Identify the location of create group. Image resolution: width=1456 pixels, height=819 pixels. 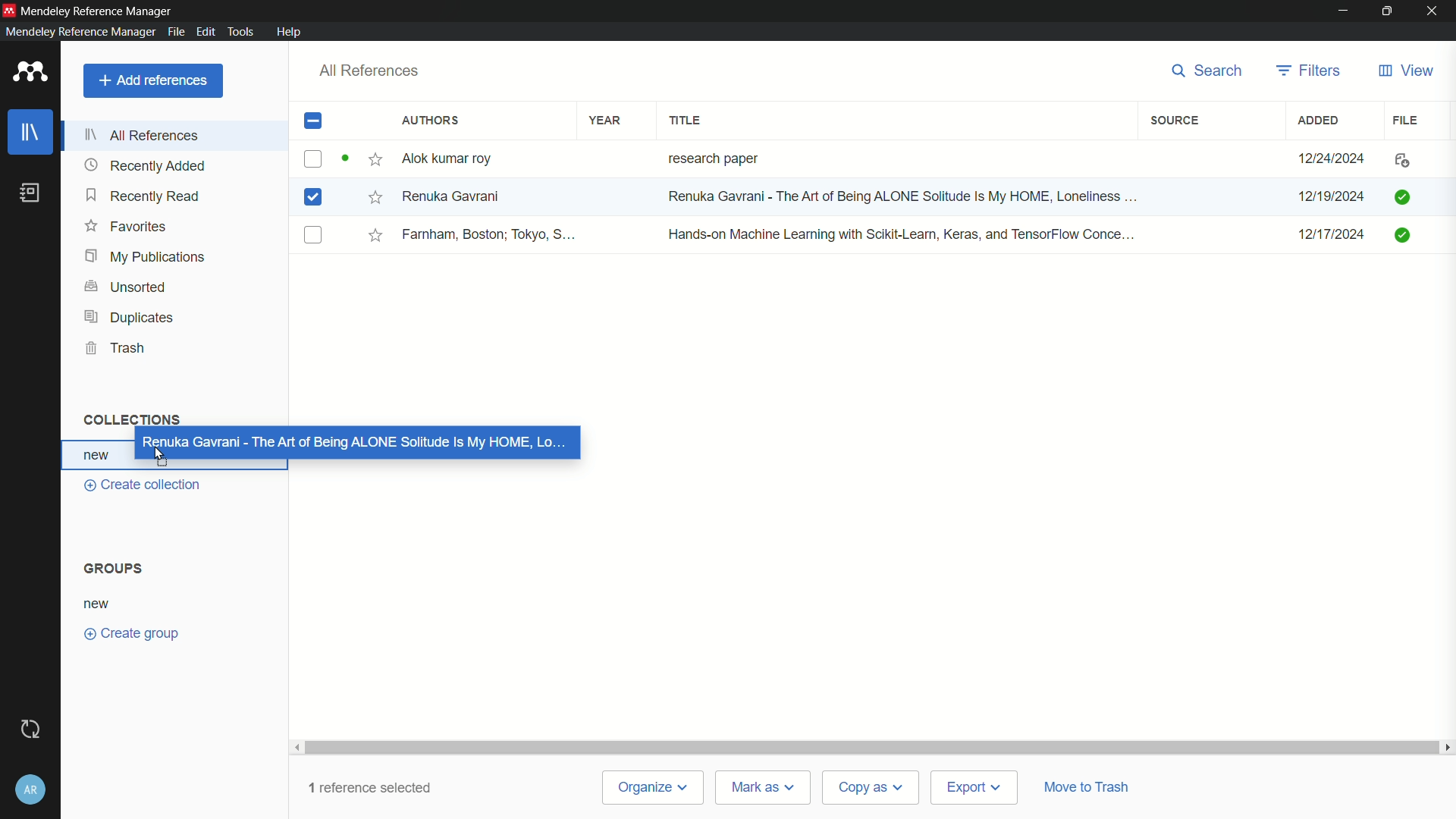
(133, 634).